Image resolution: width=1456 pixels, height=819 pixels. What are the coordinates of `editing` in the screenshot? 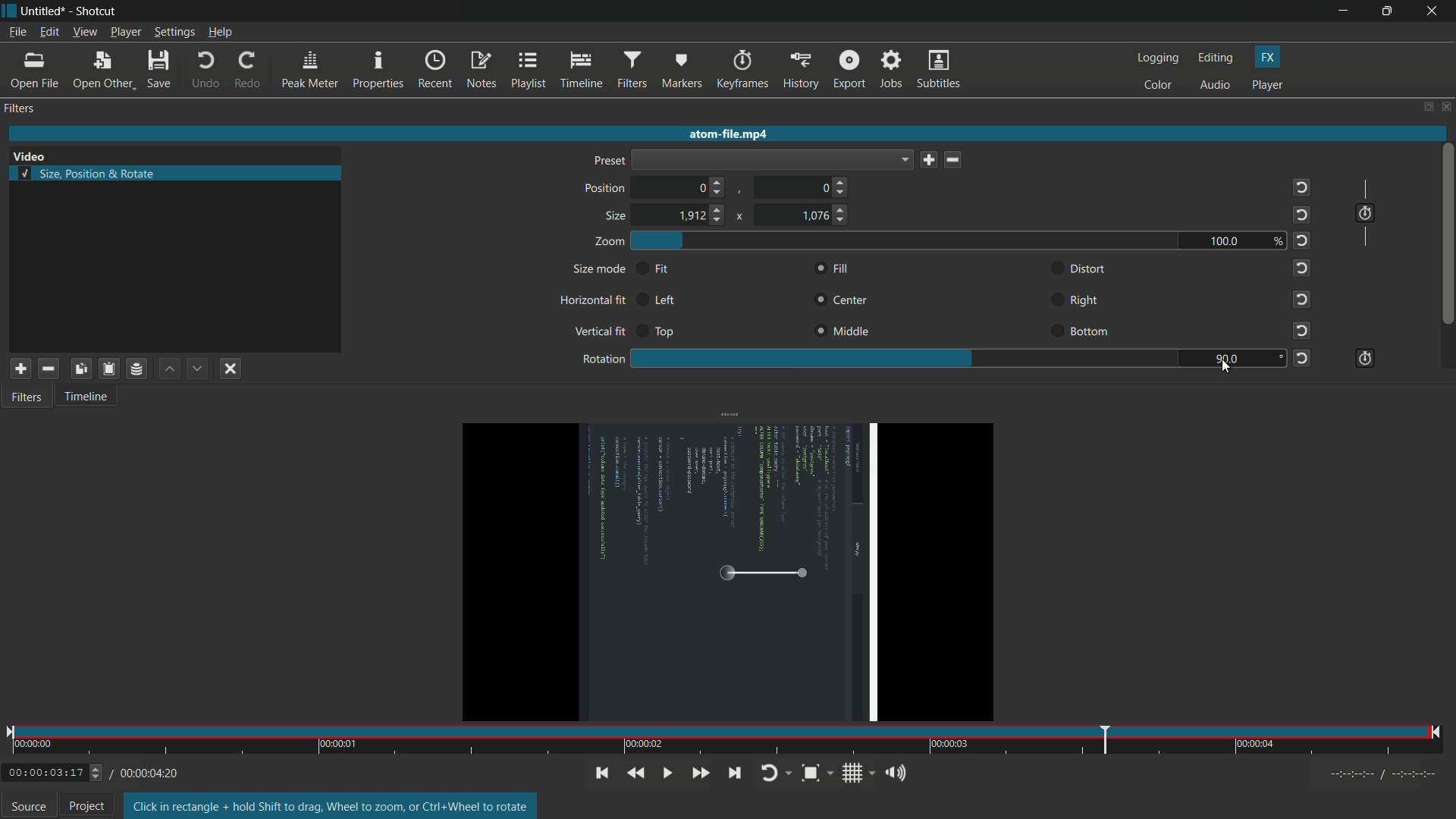 It's located at (1217, 58).